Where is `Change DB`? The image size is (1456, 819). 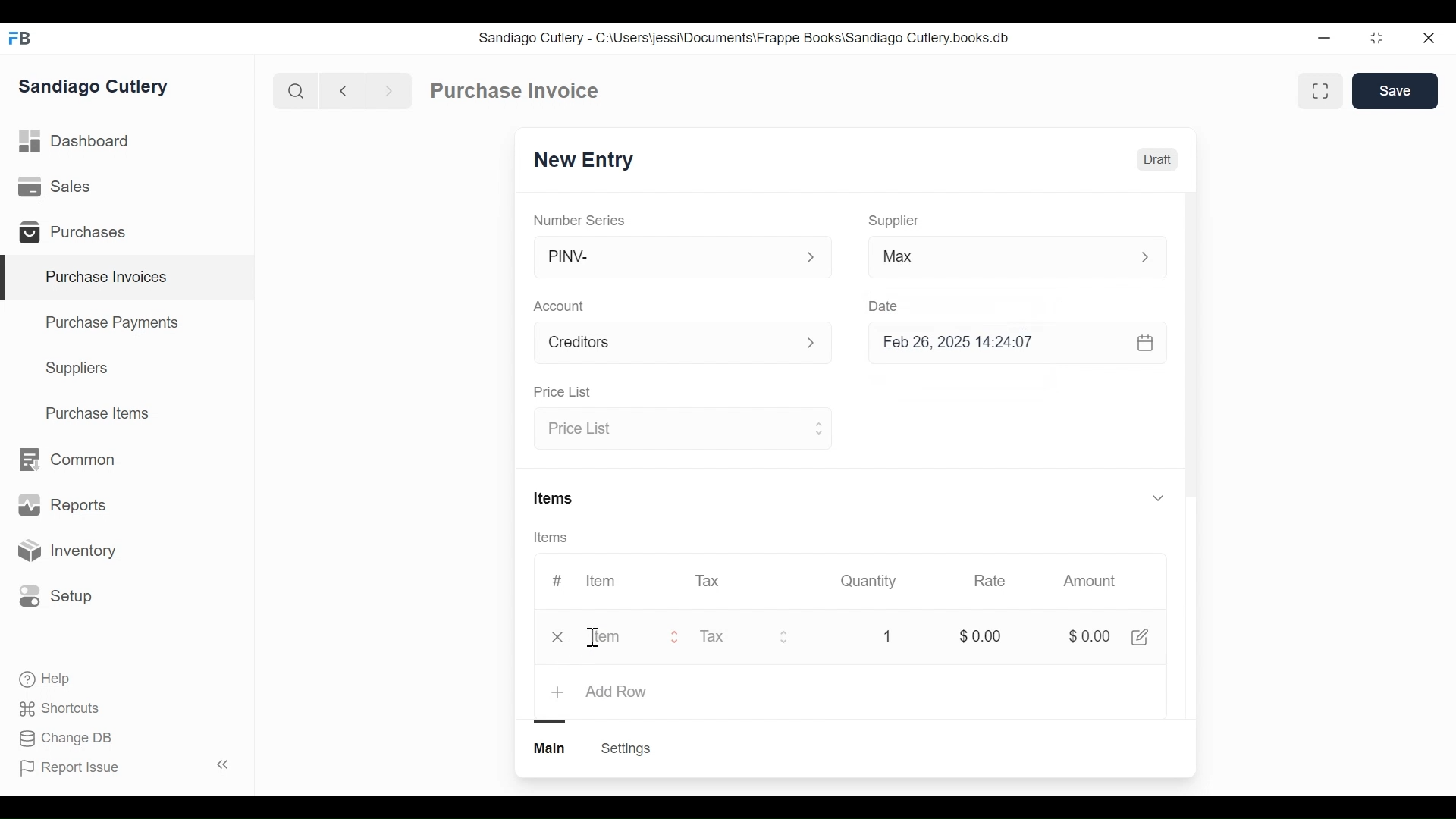
Change DB is located at coordinates (68, 739).